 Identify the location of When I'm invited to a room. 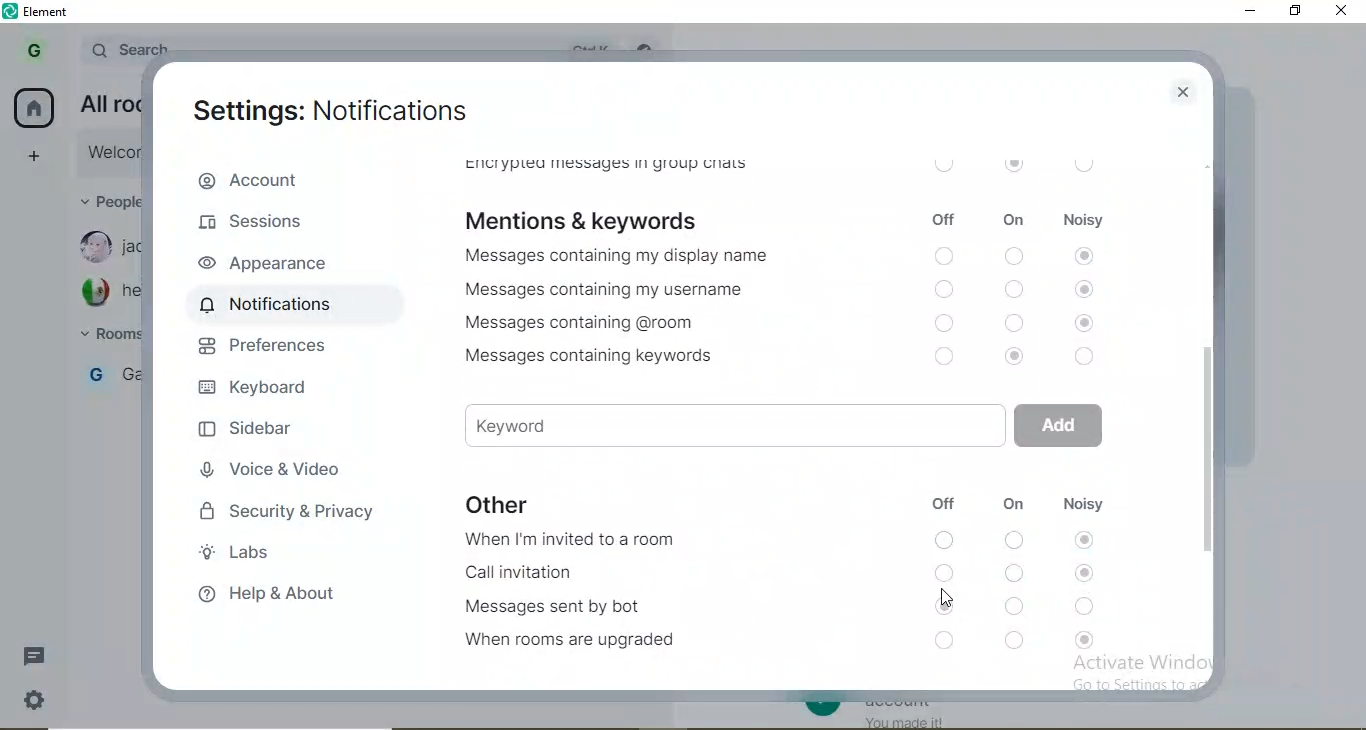
(581, 540).